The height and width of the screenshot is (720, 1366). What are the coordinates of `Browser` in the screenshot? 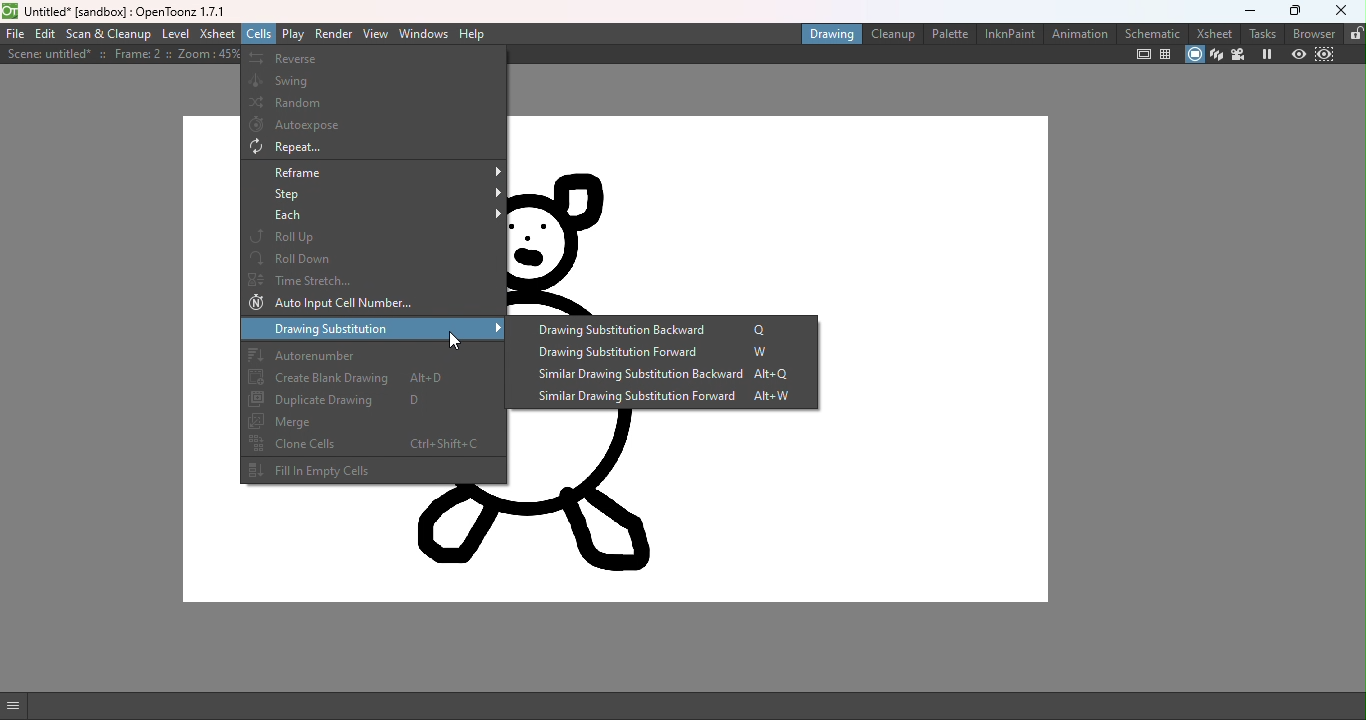 It's located at (1316, 33).